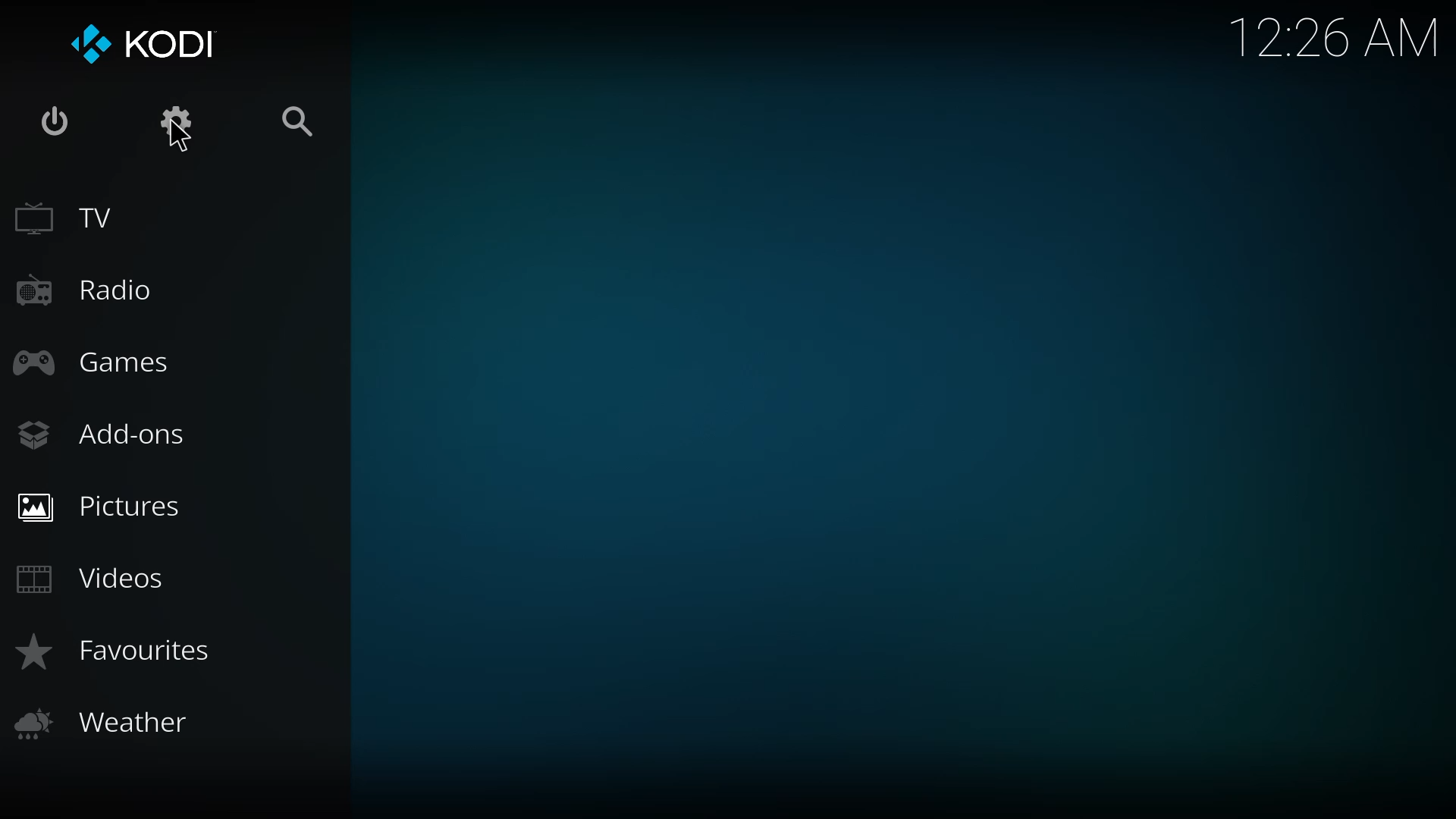  What do you see at coordinates (88, 290) in the screenshot?
I see `radio` at bounding box center [88, 290].